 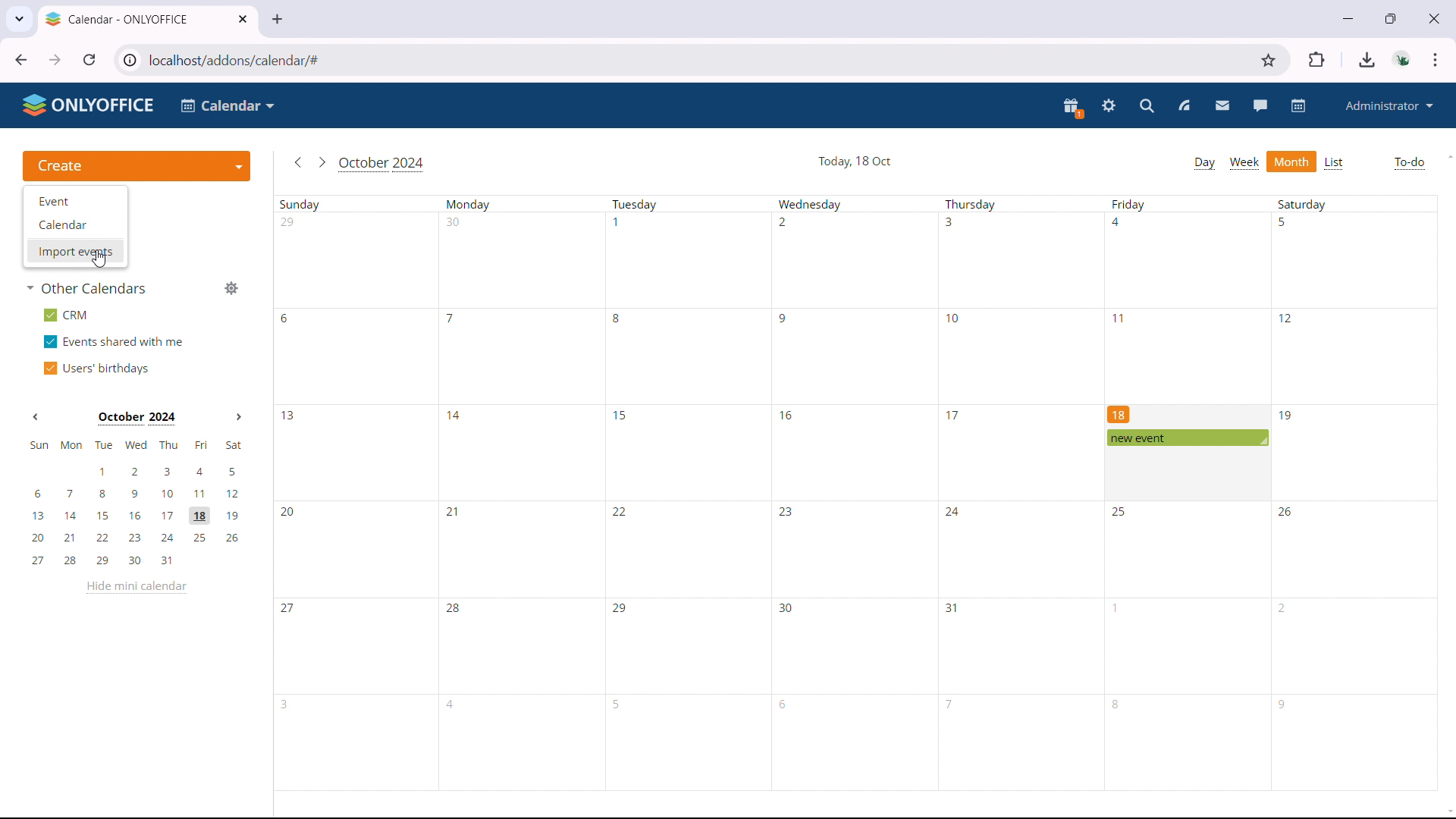 I want to click on 27, so click(x=289, y=610).